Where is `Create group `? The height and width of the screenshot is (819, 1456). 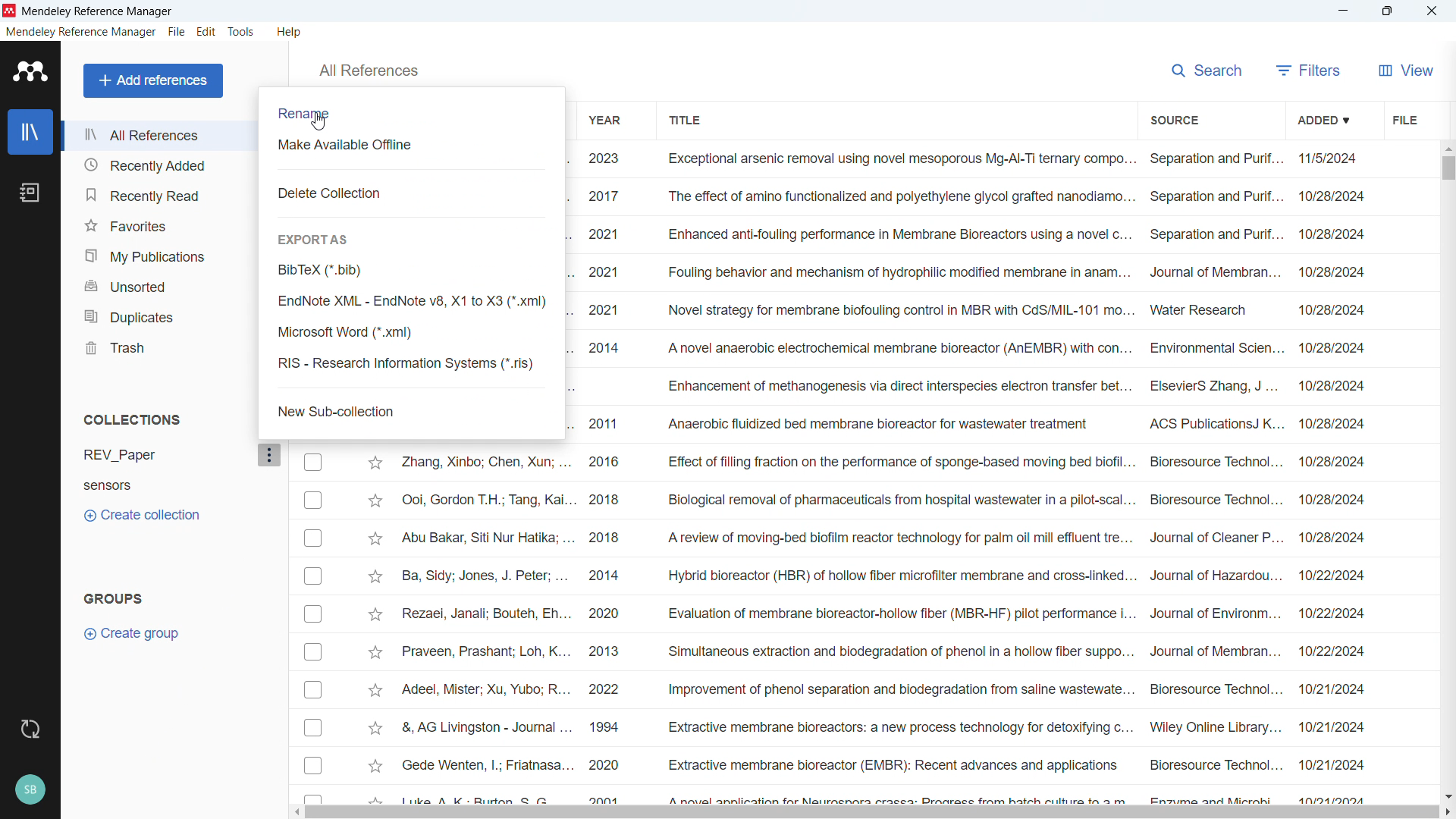 Create group  is located at coordinates (134, 633).